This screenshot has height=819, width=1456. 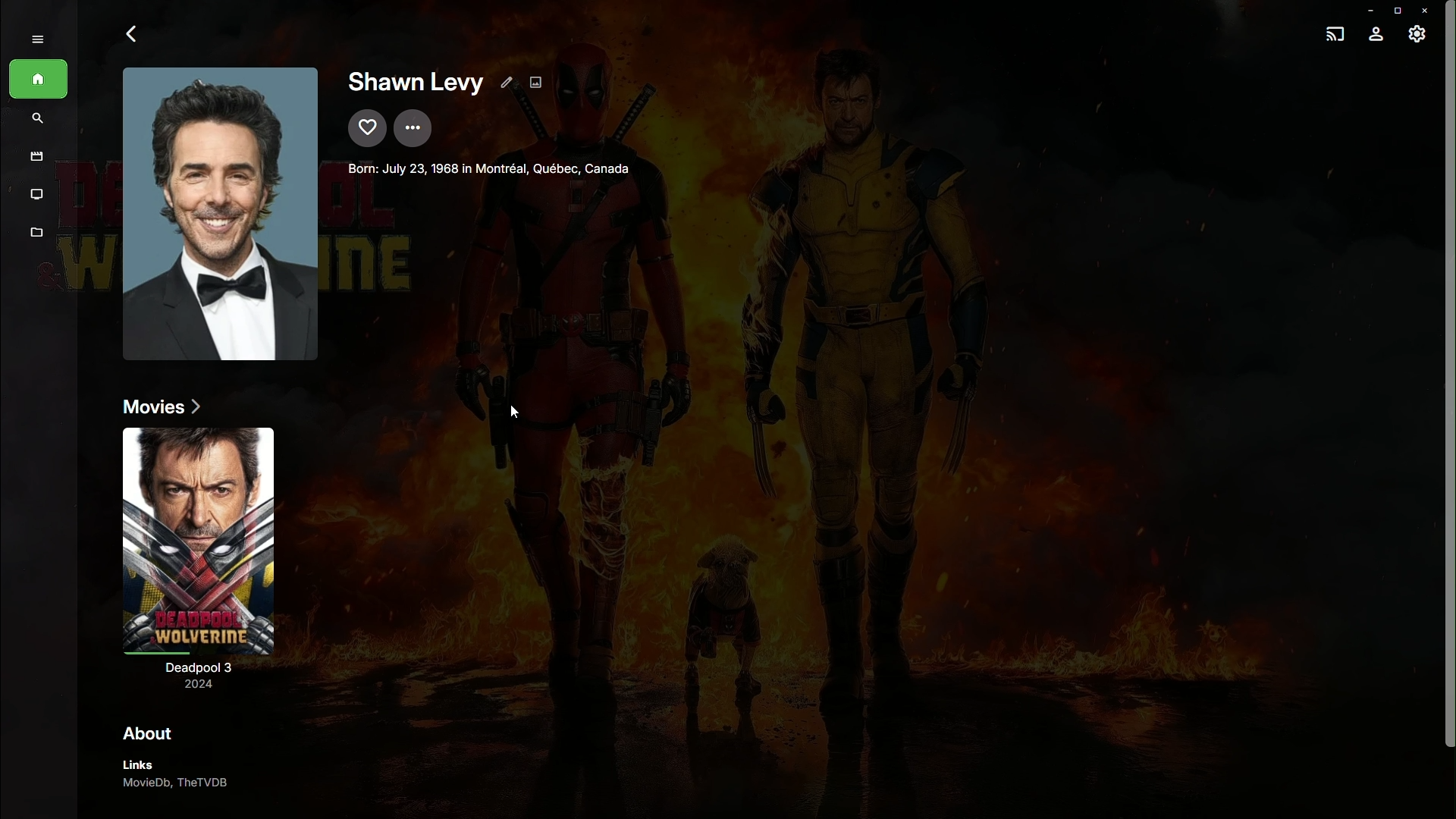 What do you see at coordinates (1416, 33) in the screenshot?
I see `Settings` at bounding box center [1416, 33].